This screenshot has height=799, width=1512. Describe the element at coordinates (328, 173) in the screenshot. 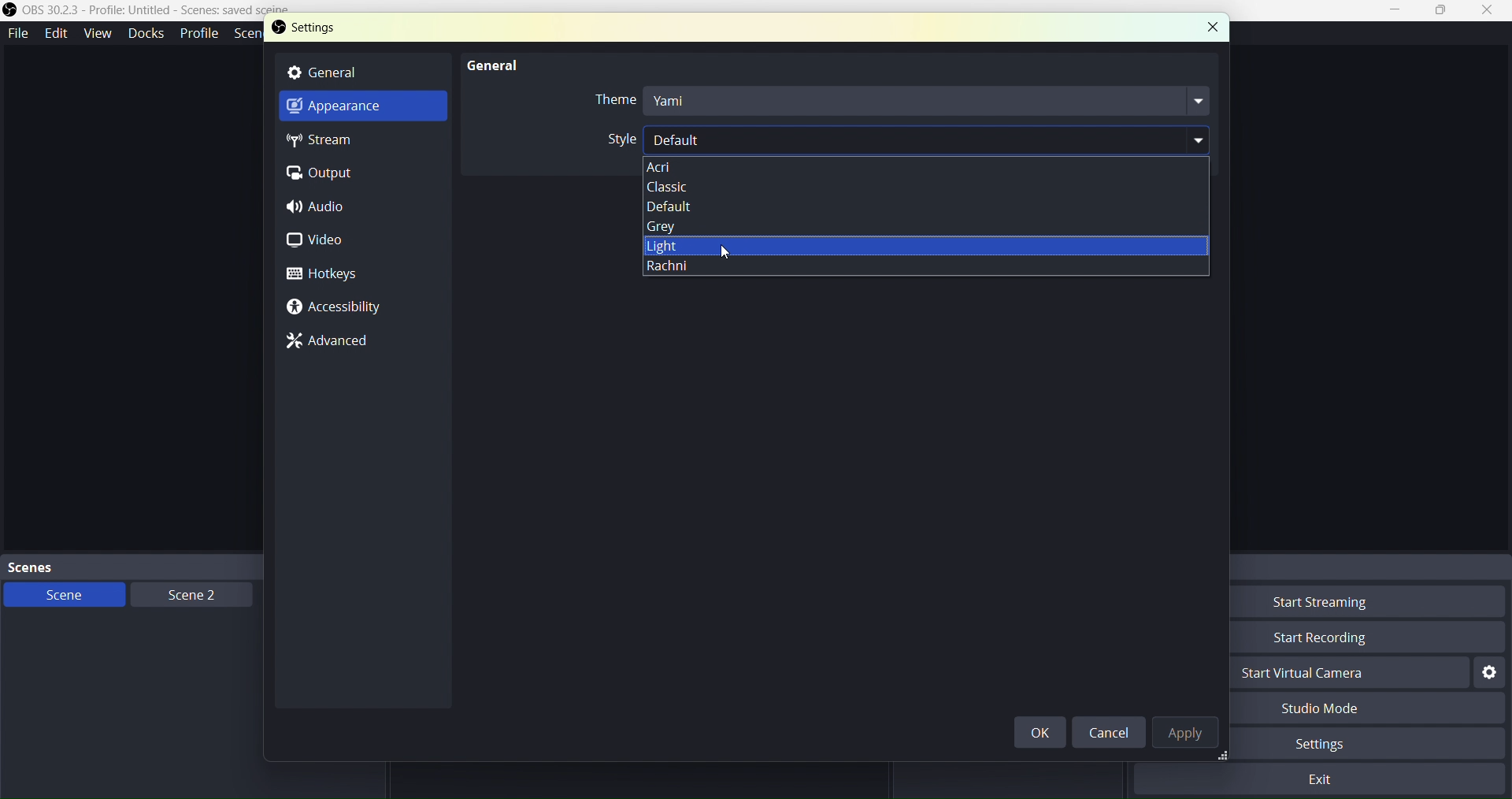

I see `Output` at that location.